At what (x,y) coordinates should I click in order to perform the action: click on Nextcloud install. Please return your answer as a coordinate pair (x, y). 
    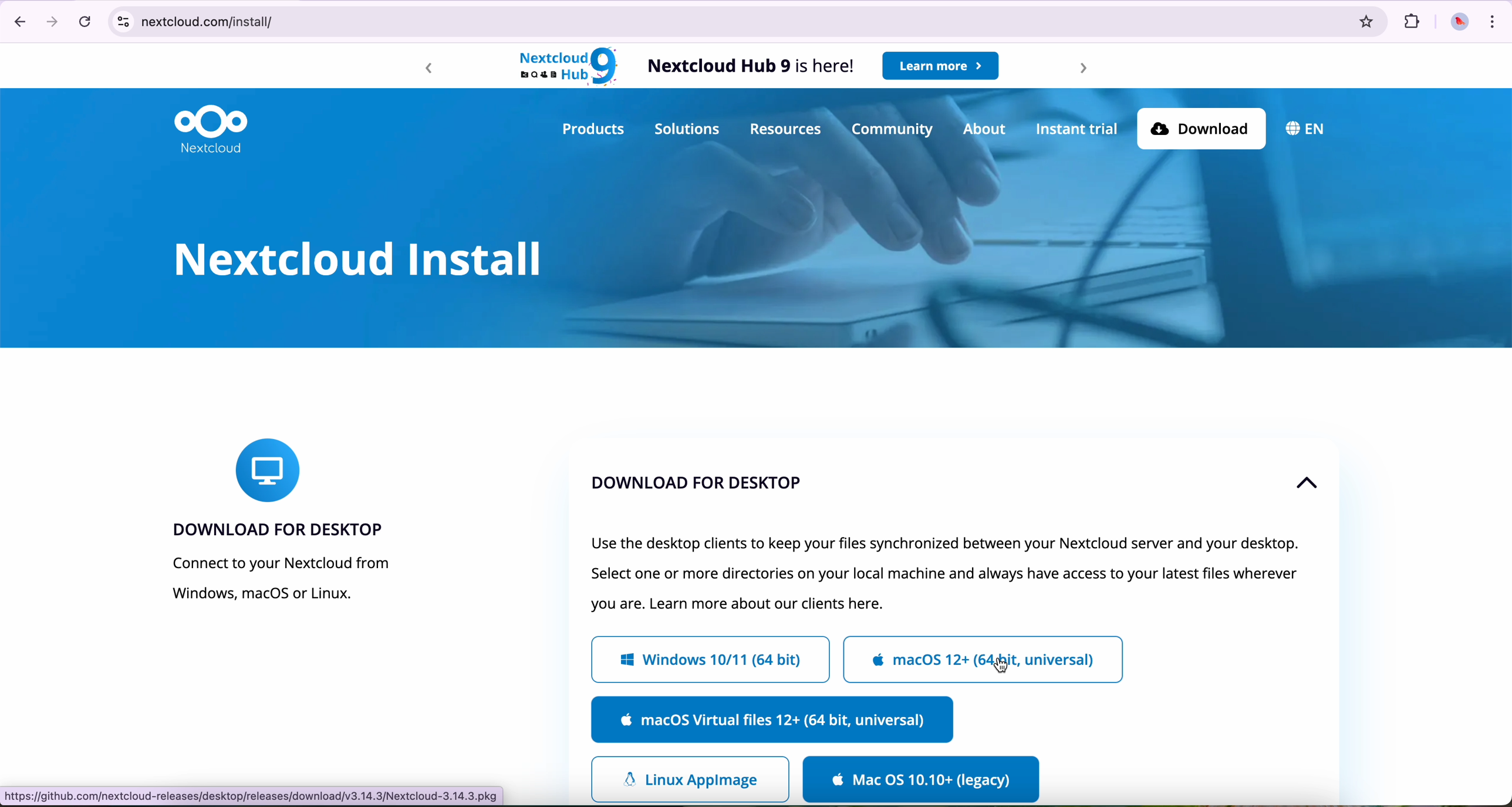
    Looking at the image, I should click on (355, 258).